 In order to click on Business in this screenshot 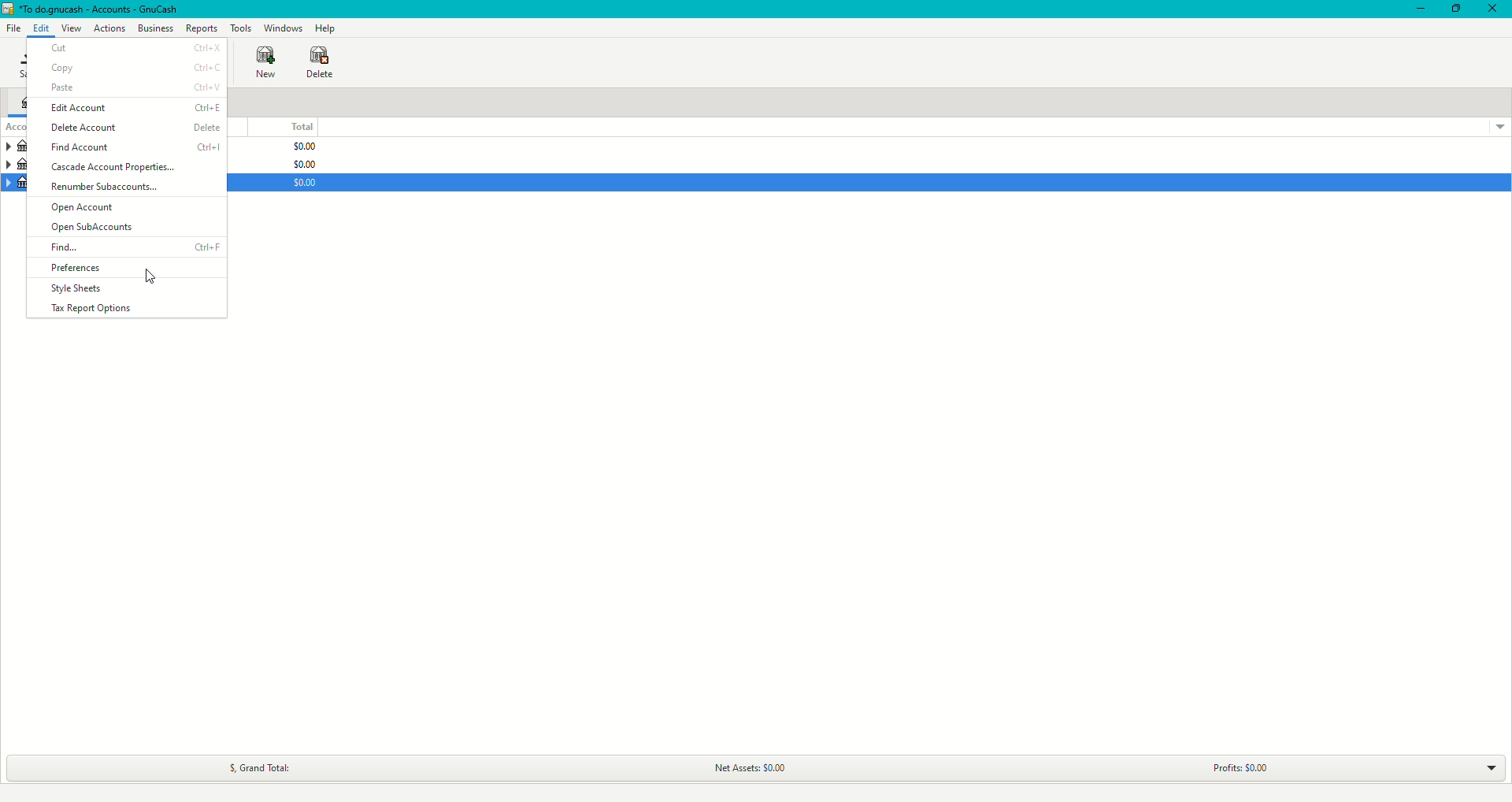, I will do `click(155, 27)`.